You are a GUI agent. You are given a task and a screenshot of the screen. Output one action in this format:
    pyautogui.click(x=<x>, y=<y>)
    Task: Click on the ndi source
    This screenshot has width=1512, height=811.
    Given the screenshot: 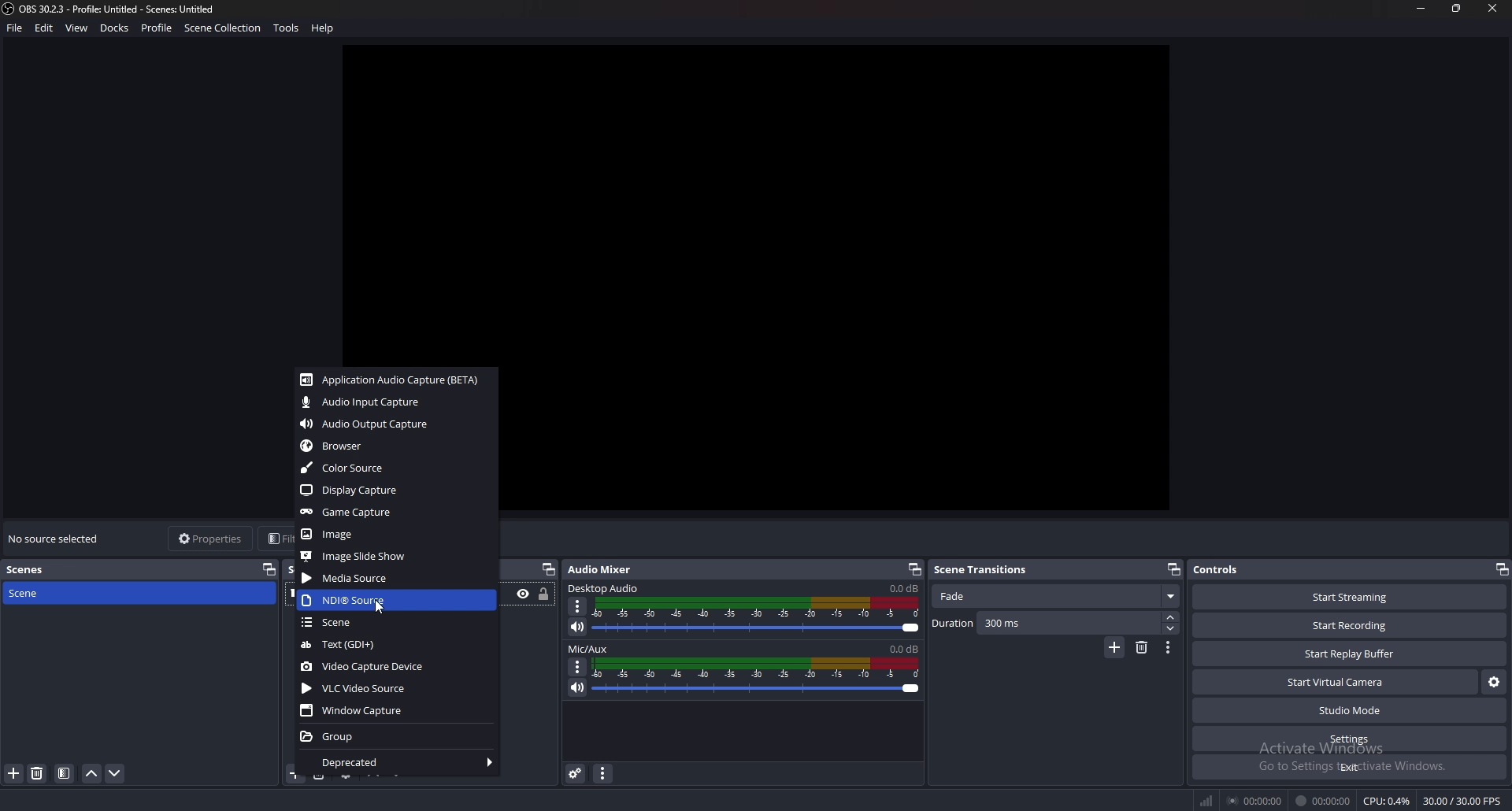 What is the action you would take?
    pyautogui.click(x=395, y=600)
    